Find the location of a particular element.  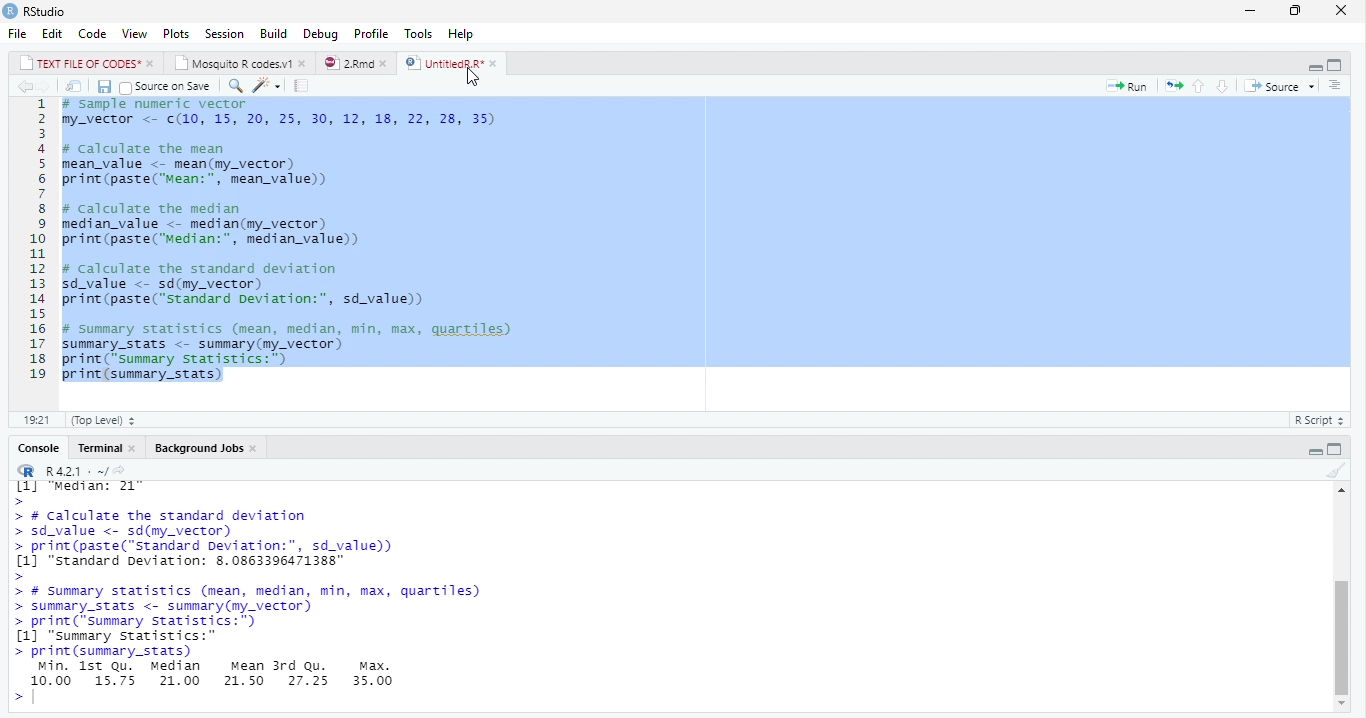

minimize is located at coordinates (1314, 451).